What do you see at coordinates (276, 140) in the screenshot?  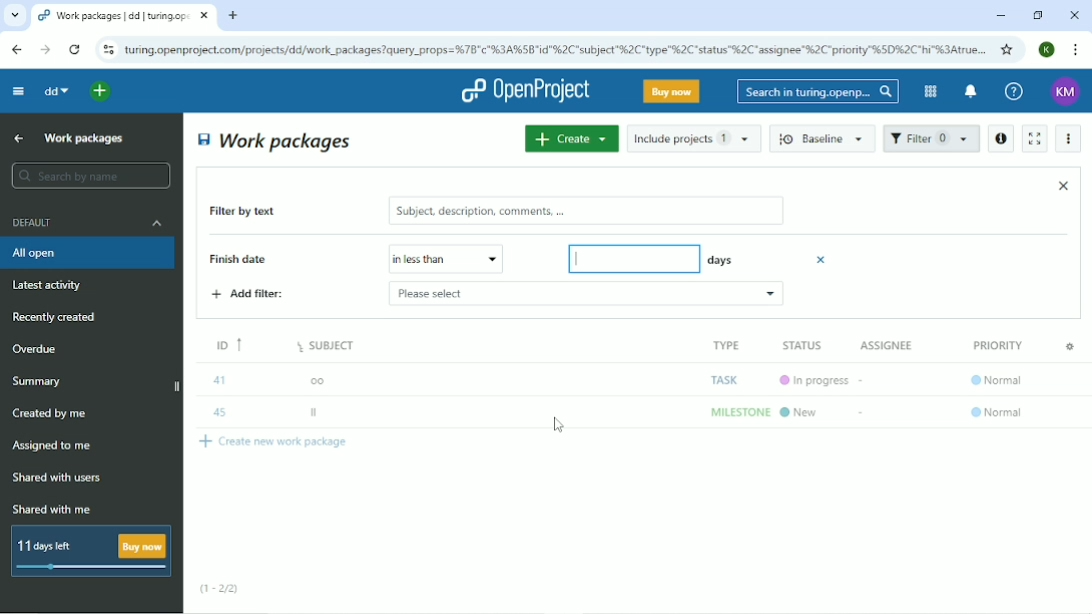 I see `Work packages` at bounding box center [276, 140].